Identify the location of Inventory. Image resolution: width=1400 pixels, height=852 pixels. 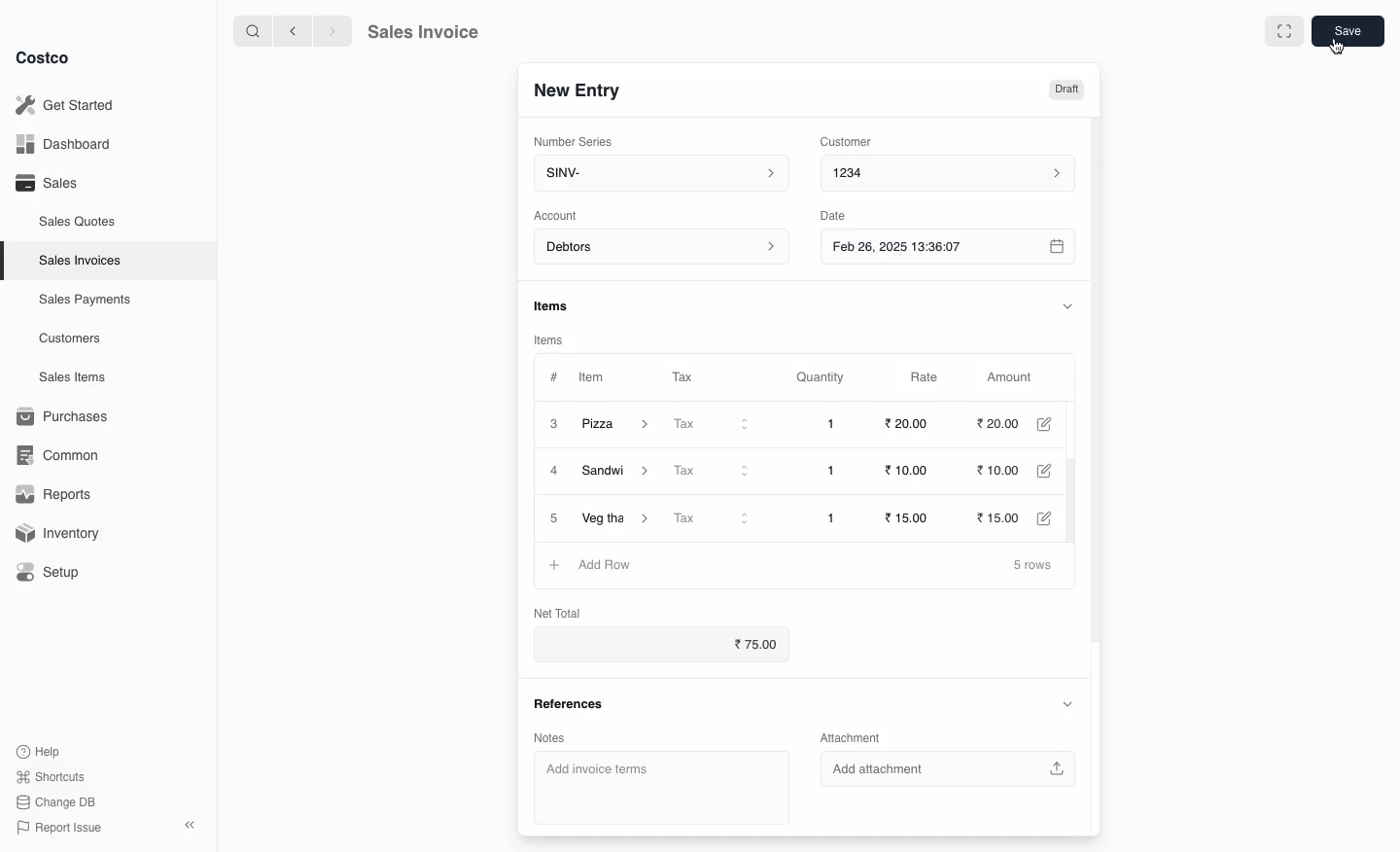
(61, 531).